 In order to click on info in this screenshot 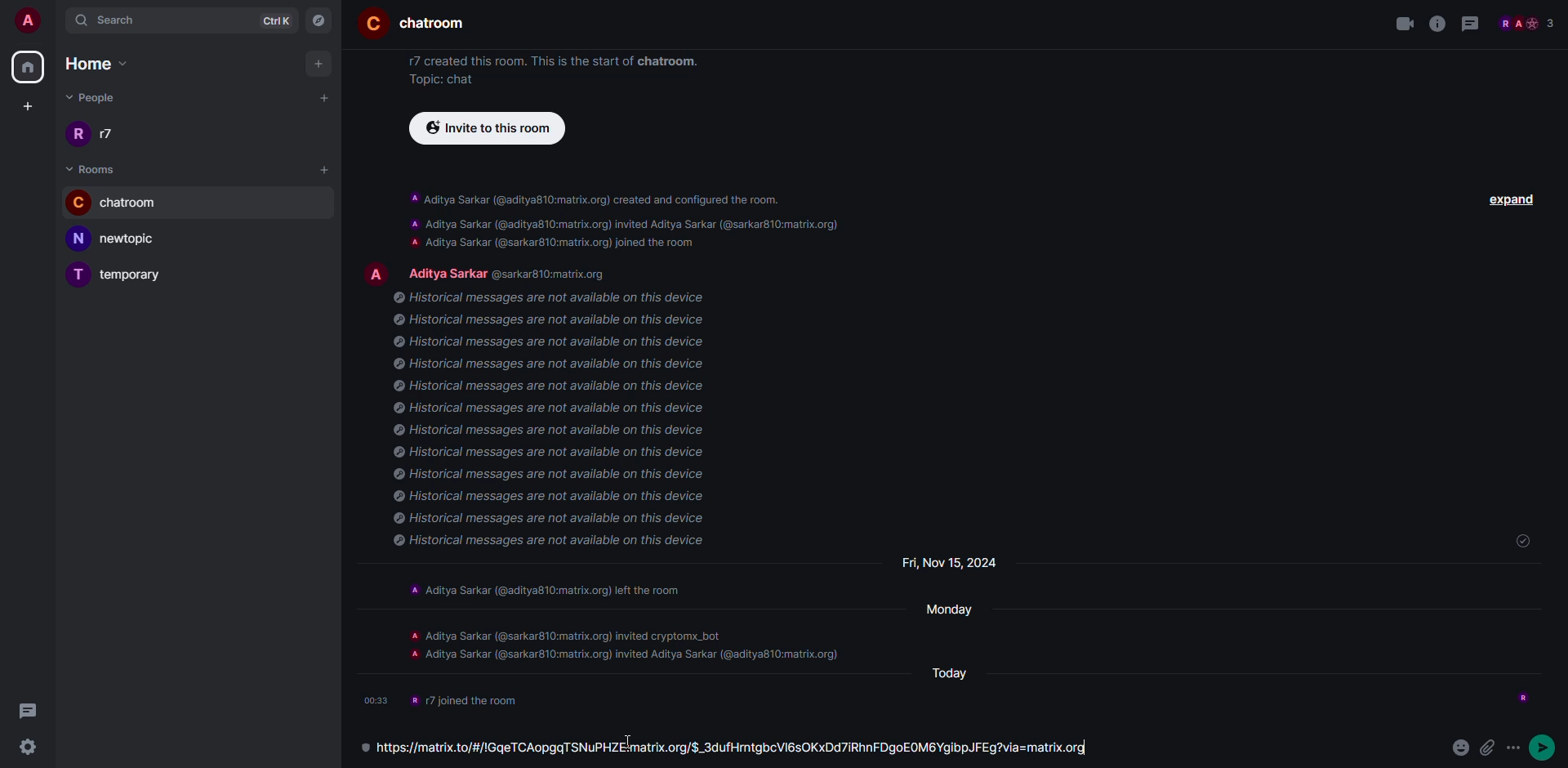, I will do `click(1437, 24)`.